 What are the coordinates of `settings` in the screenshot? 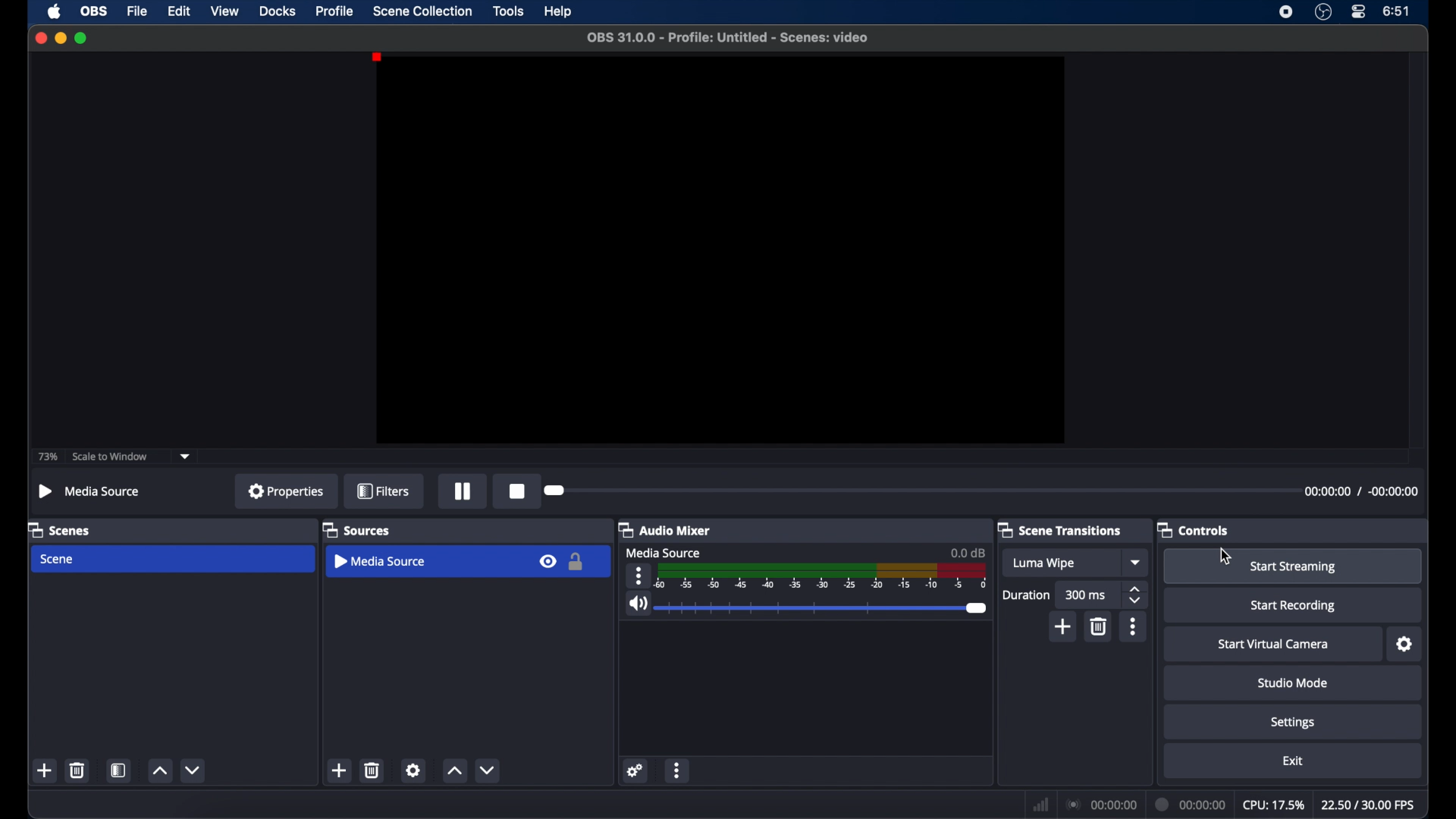 It's located at (414, 770).